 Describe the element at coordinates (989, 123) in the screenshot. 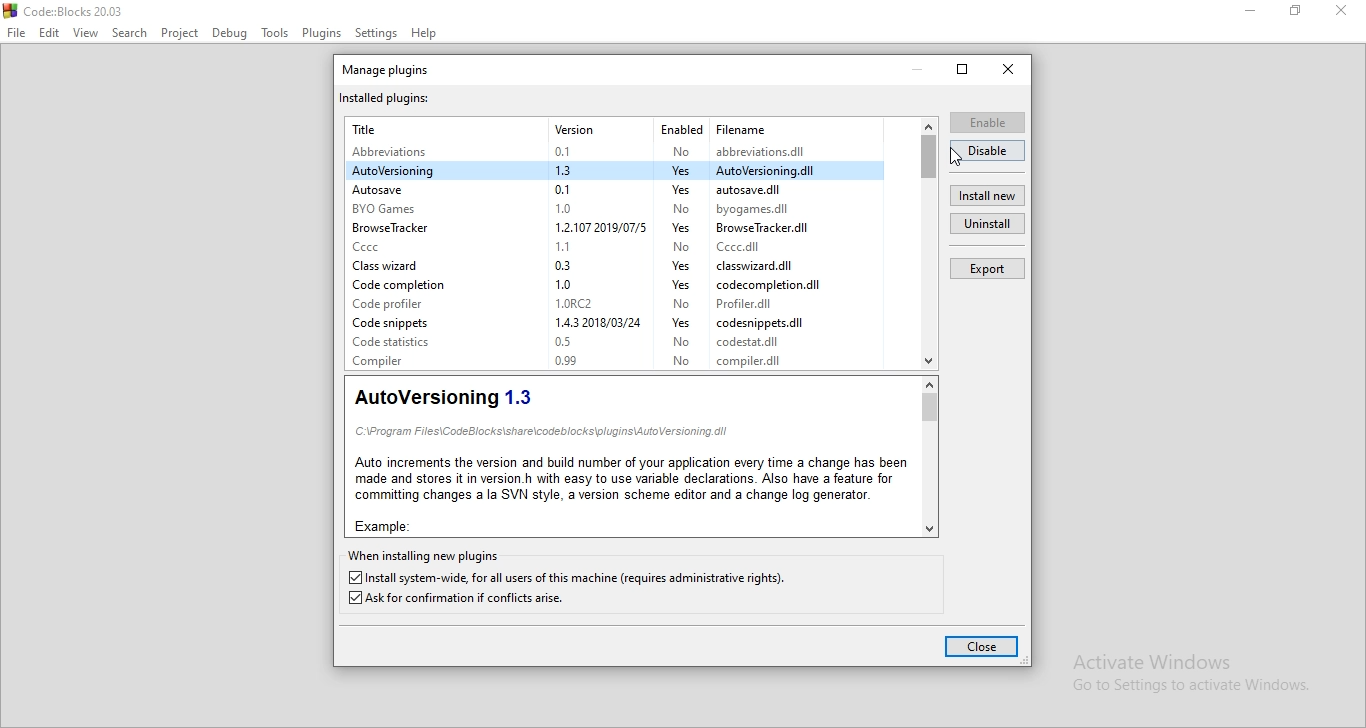

I see `enable` at that location.